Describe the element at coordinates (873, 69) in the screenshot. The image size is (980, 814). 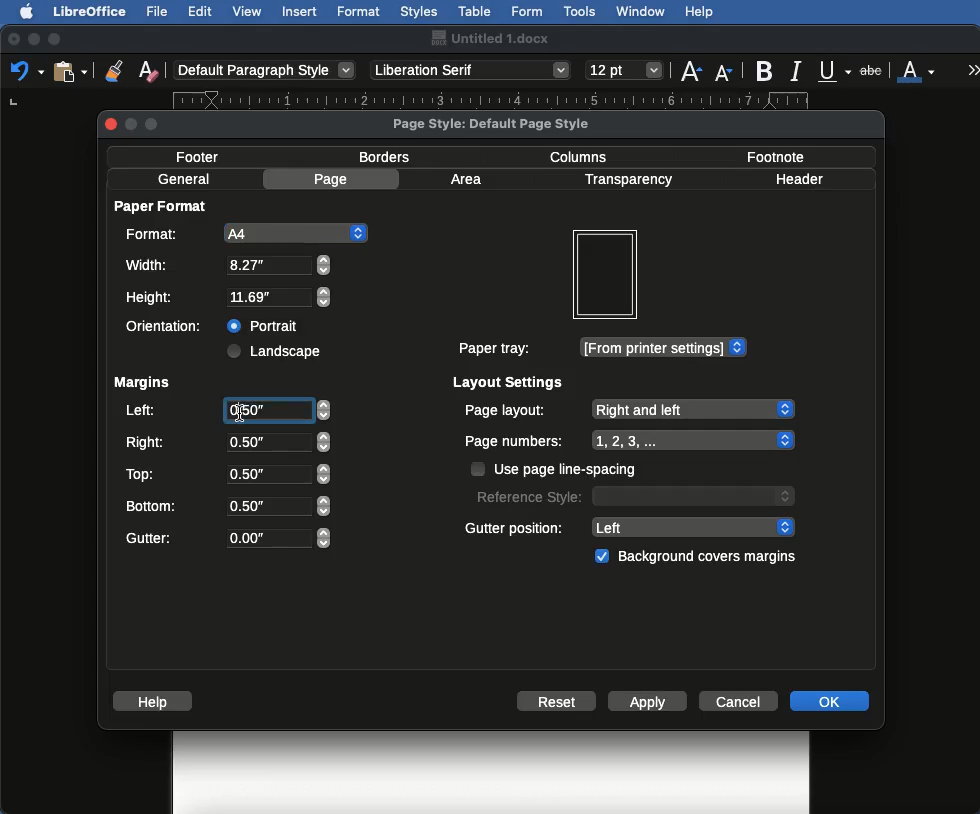
I see `Strikethrough ` at that location.